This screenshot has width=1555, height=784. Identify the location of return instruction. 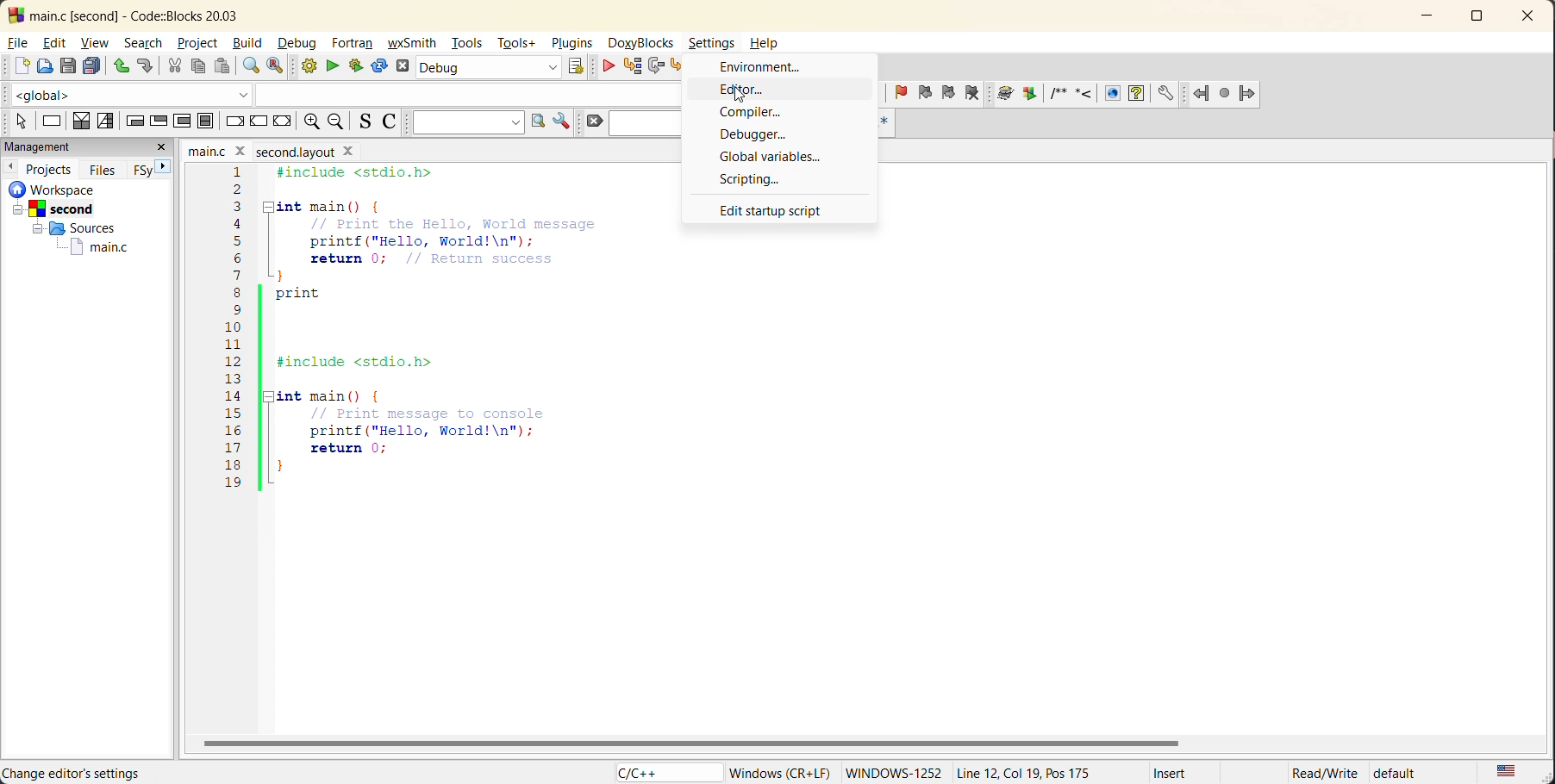
(283, 121).